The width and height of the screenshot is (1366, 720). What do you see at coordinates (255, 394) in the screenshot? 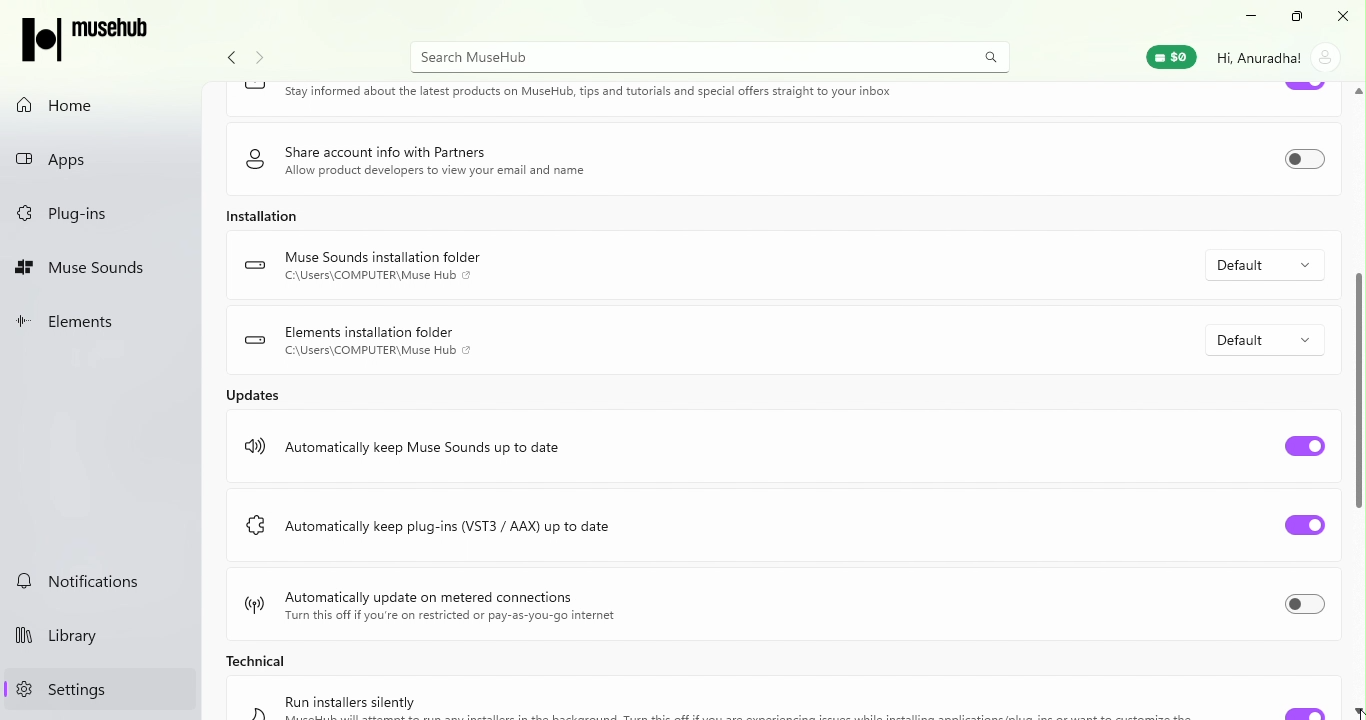
I see `Updates` at bounding box center [255, 394].